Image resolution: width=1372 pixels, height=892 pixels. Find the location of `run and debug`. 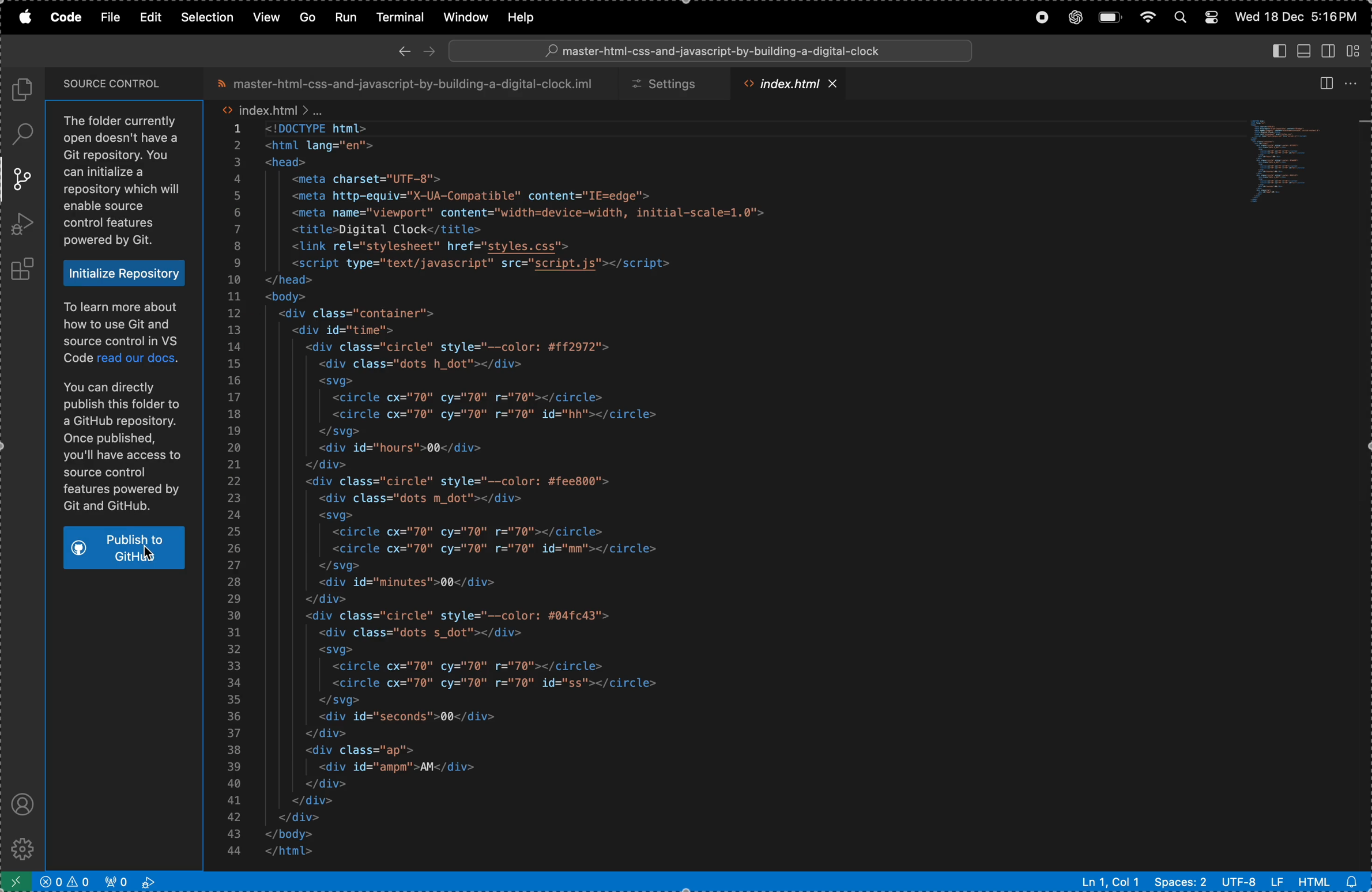

run and debug is located at coordinates (24, 224).